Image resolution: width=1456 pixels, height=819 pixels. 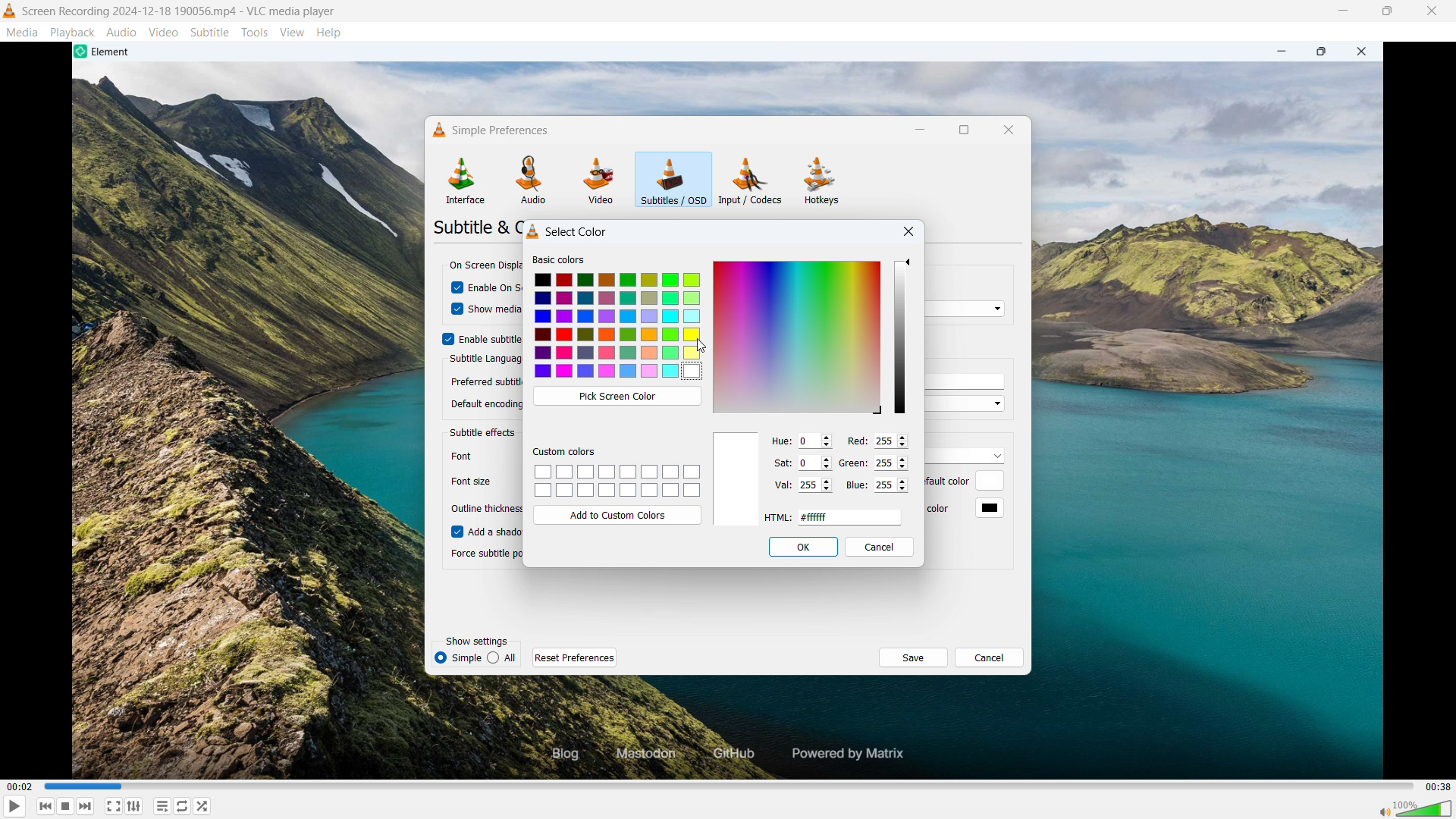 What do you see at coordinates (781, 485) in the screenshot?
I see `Val` at bounding box center [781, 485].